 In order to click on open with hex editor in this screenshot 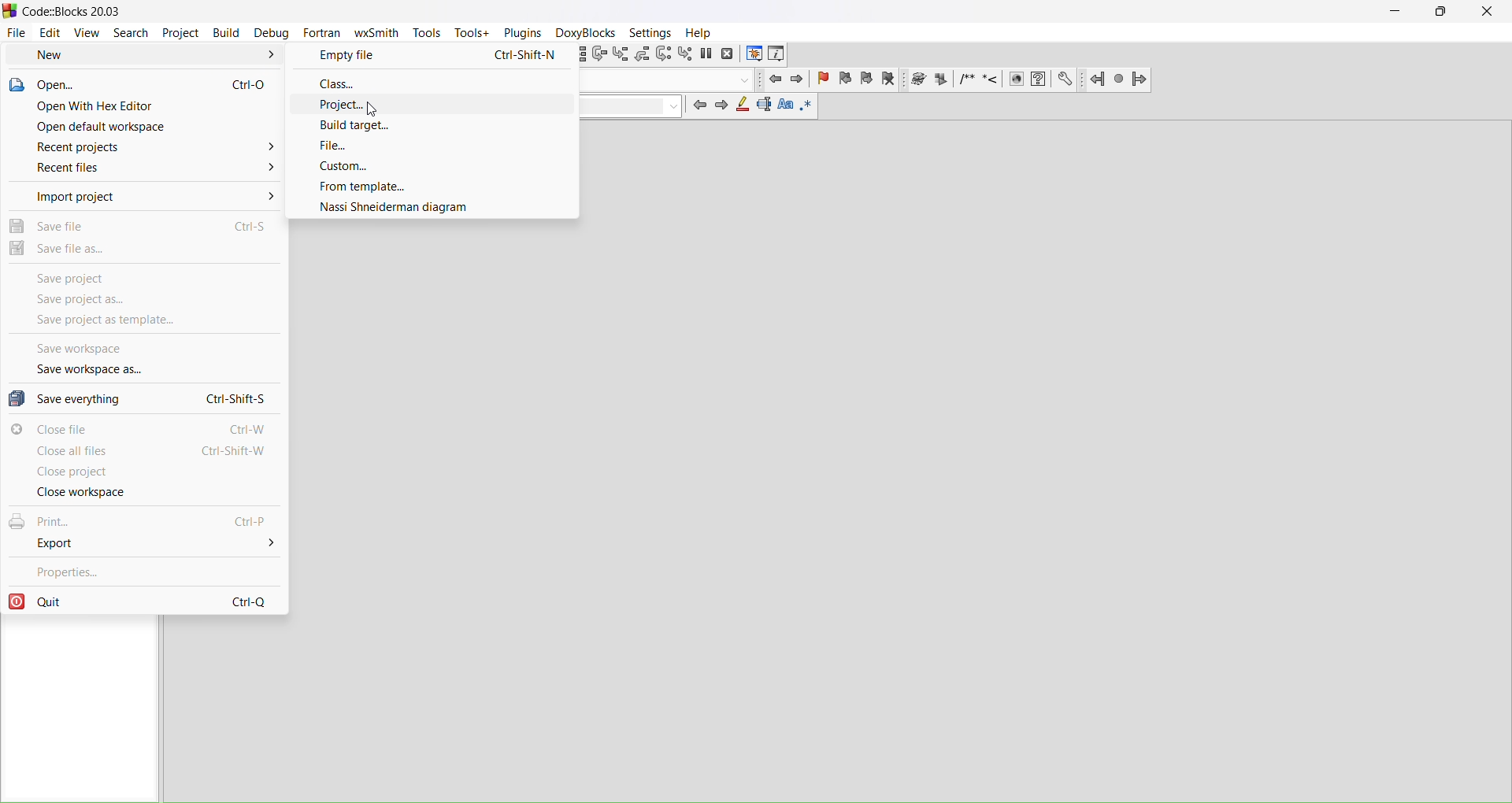, I will do `click(139, 105)`.